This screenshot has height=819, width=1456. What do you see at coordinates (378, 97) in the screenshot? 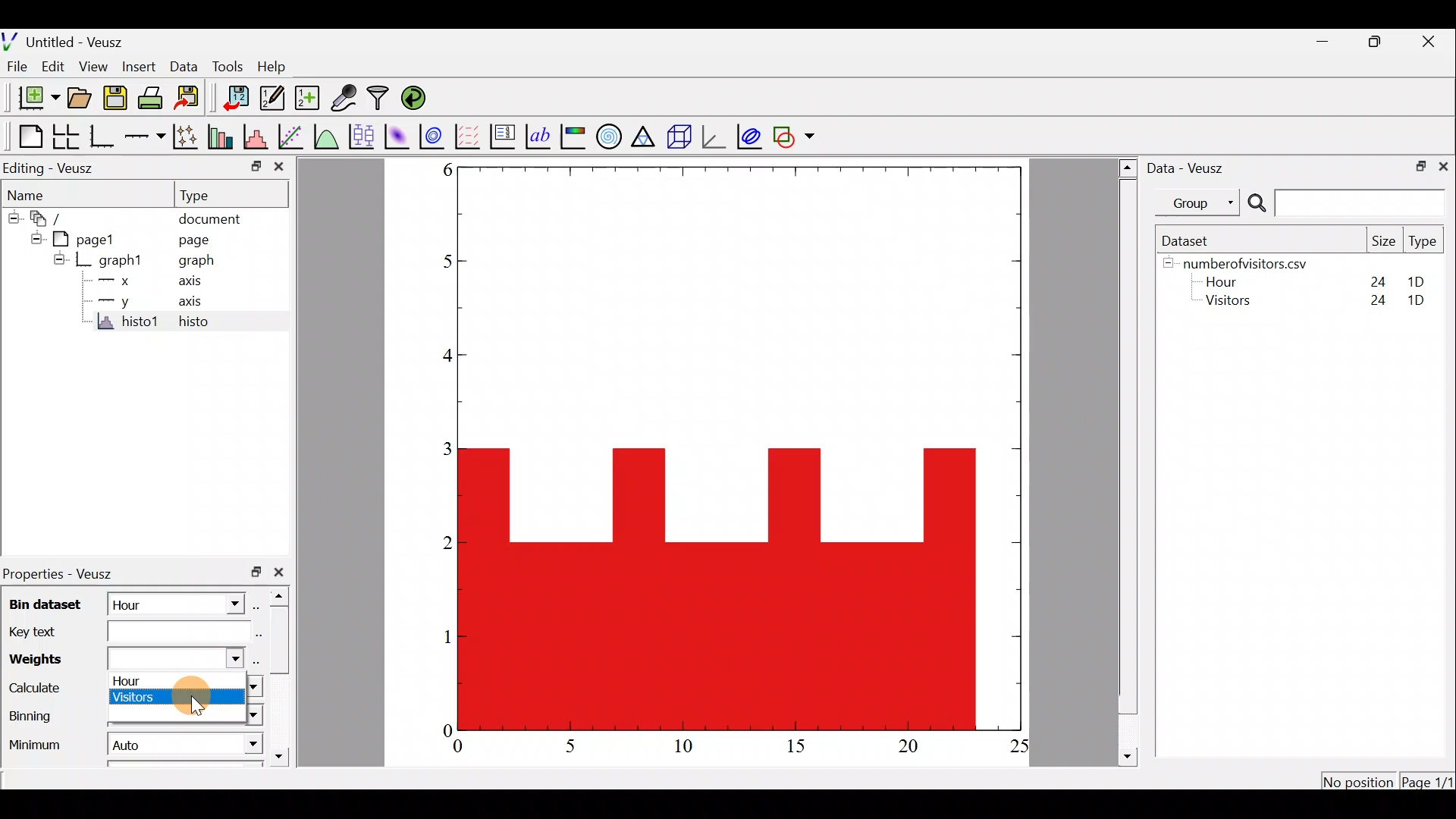
I see `Filter data` at bounding box center [378, 97].